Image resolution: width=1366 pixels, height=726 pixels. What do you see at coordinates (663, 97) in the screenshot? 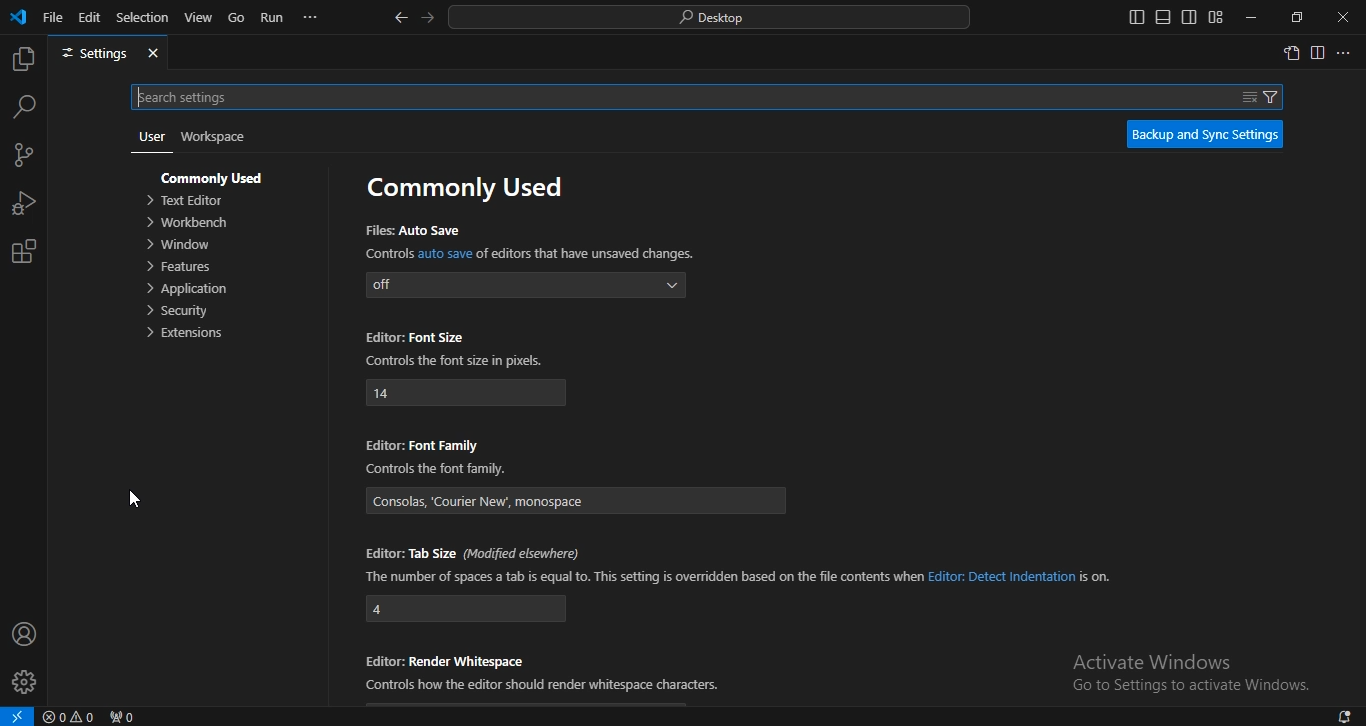
I see `search settings` at bounding box center [663, 97].